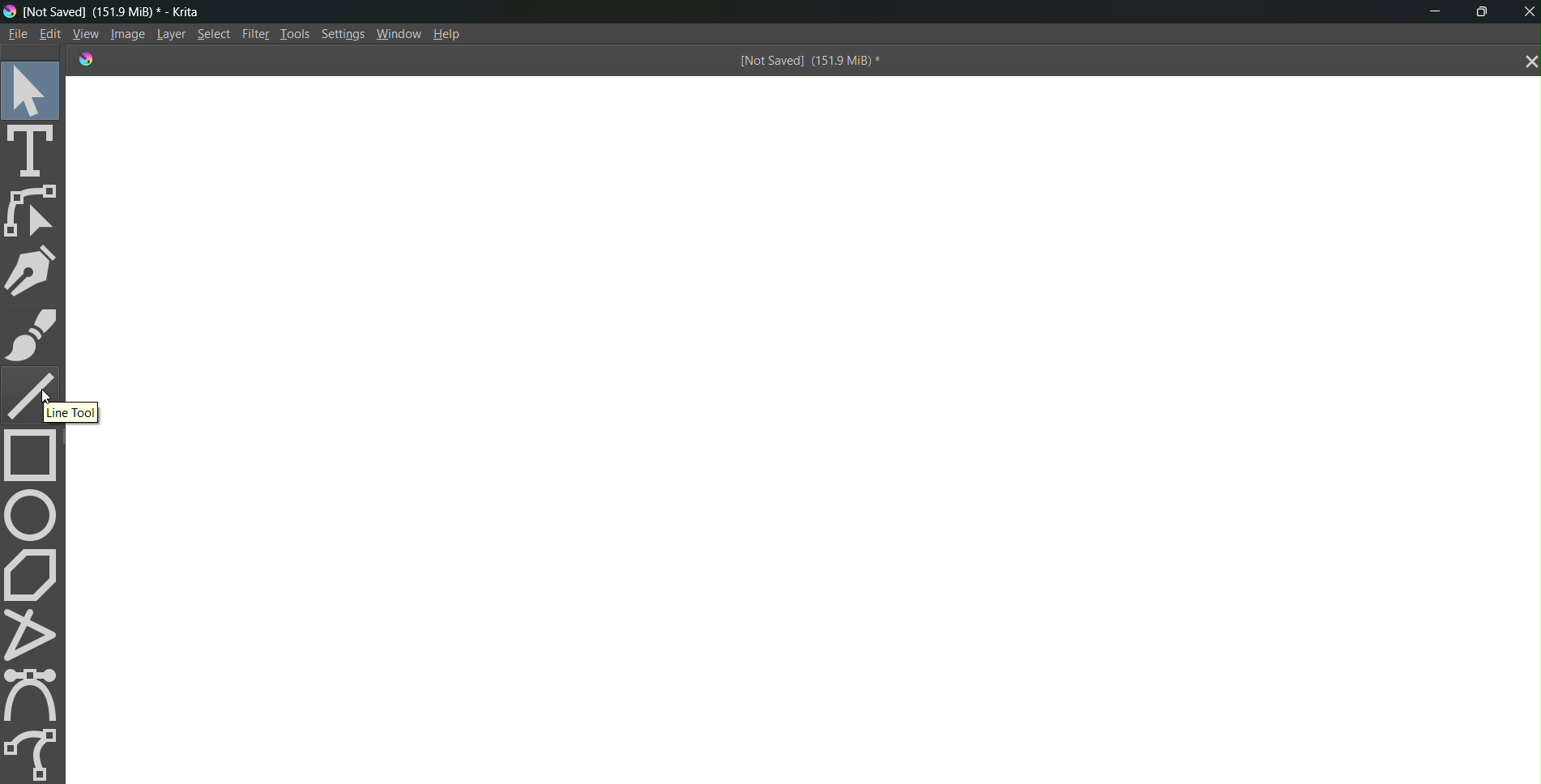 The height and width of the screenshot is (784, 1541). Describe the element at coordinates (122, 11) in the screenshot. I see `[Not Saved] (151.9 MiB) * - Krita` at that location.